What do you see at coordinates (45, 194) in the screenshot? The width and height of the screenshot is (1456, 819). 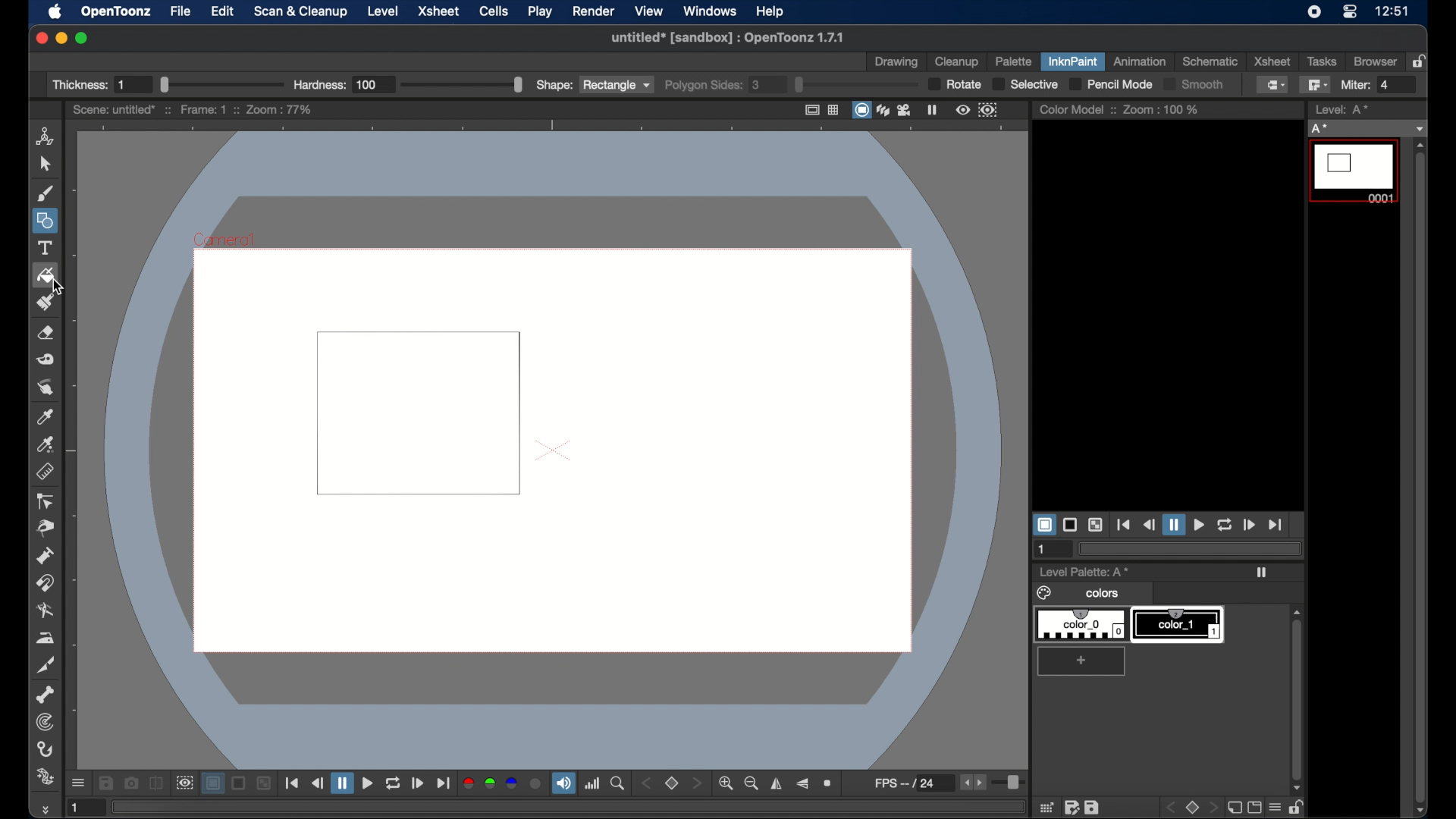 I see `brush tool` at bounding box center [45, 194].